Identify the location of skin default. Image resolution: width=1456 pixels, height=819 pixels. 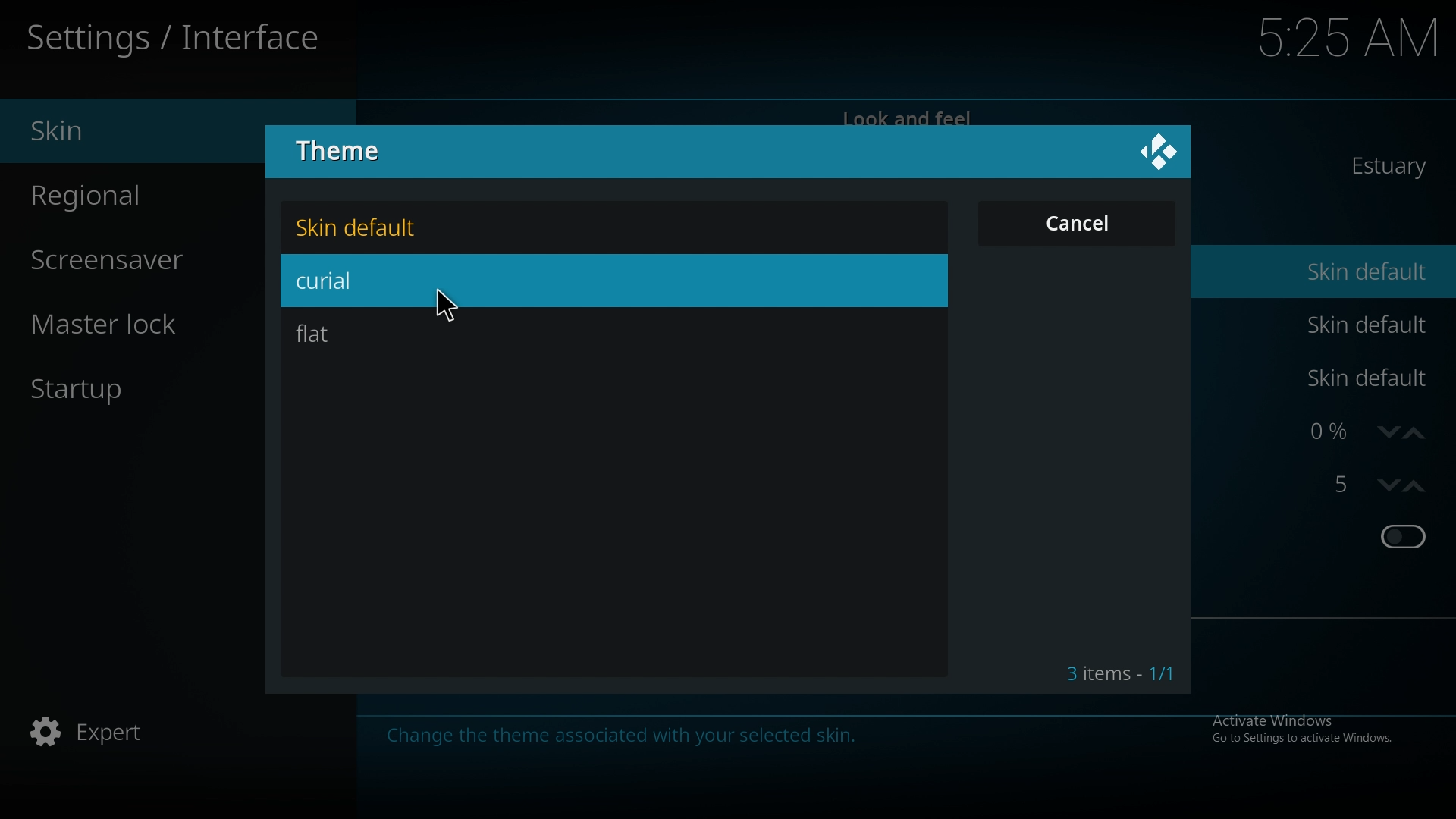
(1370, 378).